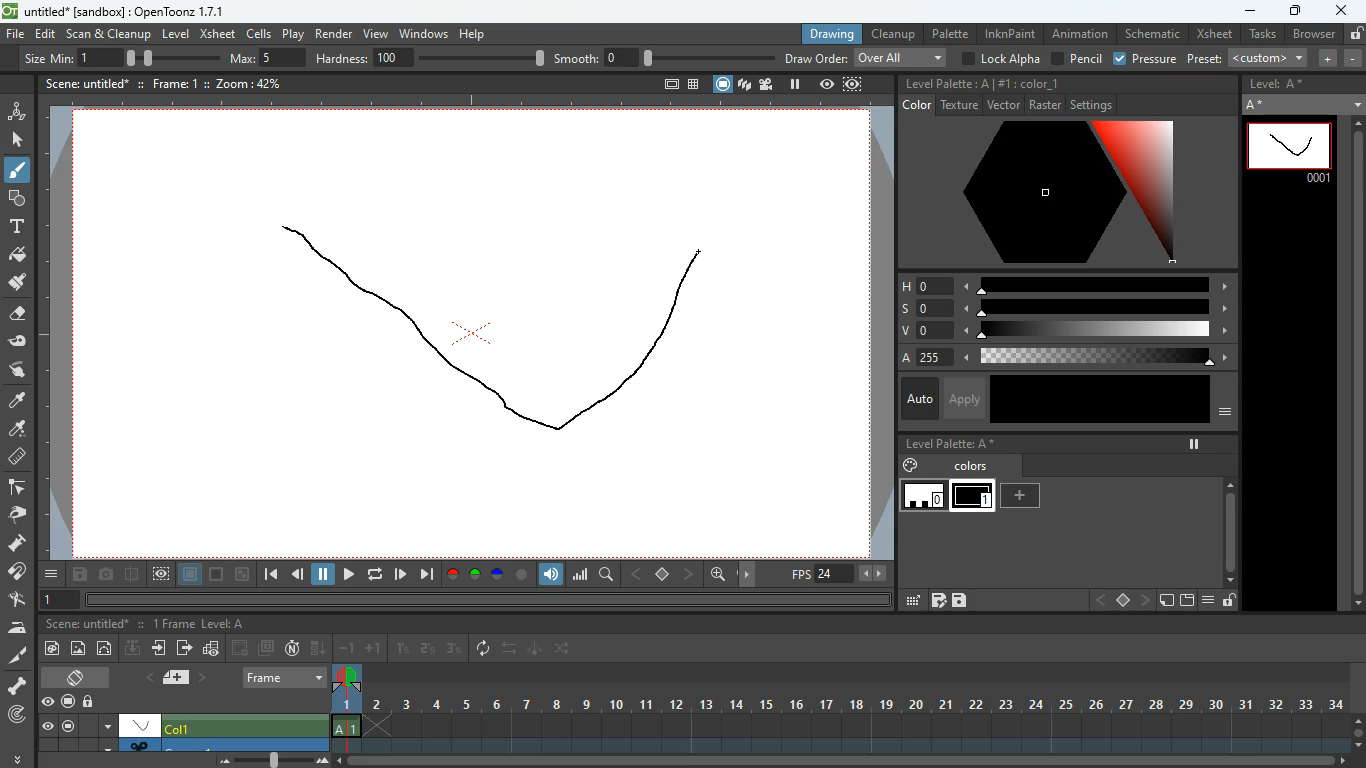  Describe the element at coordinates (938, 600) in the screenshot. I see `edit save file` at that location.